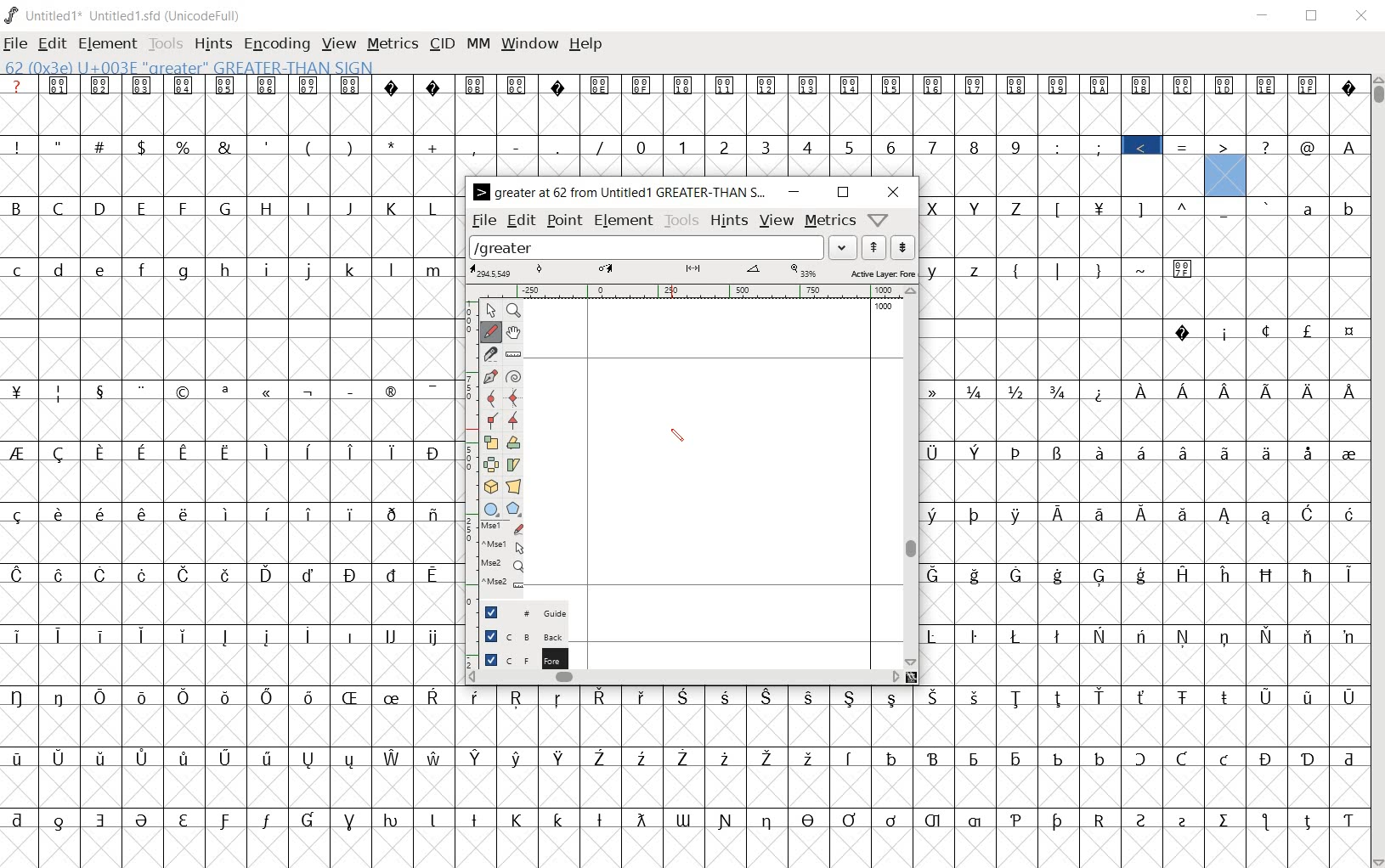 This screenshot has width=1385, height=868. Describe the element at coordinates (687, 290) in the screenshot. I see `ruler` at that location.